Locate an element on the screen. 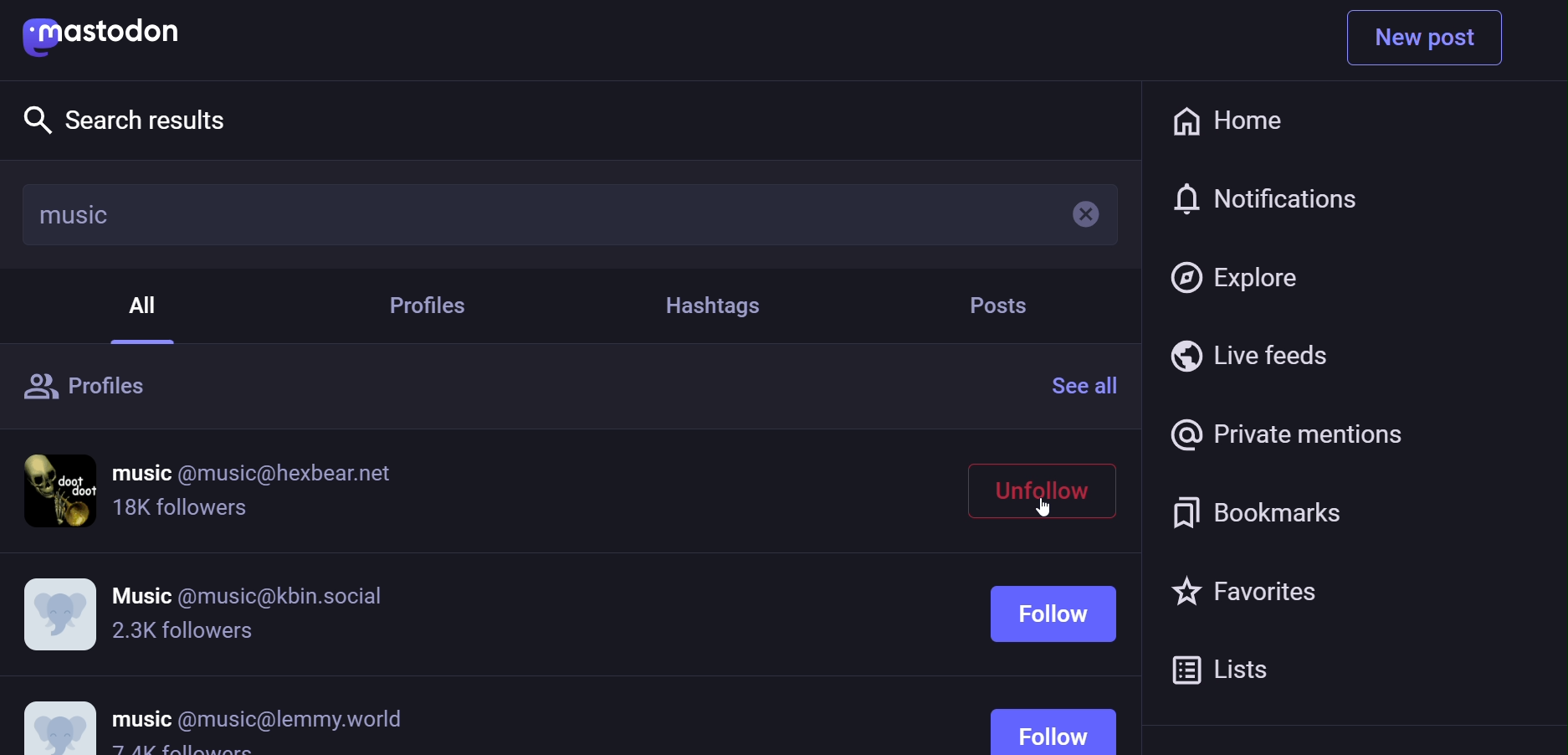 Image resolution: width=1568 pixels, height=755 pixels. unfollow is located at coordinates (1046, 486).